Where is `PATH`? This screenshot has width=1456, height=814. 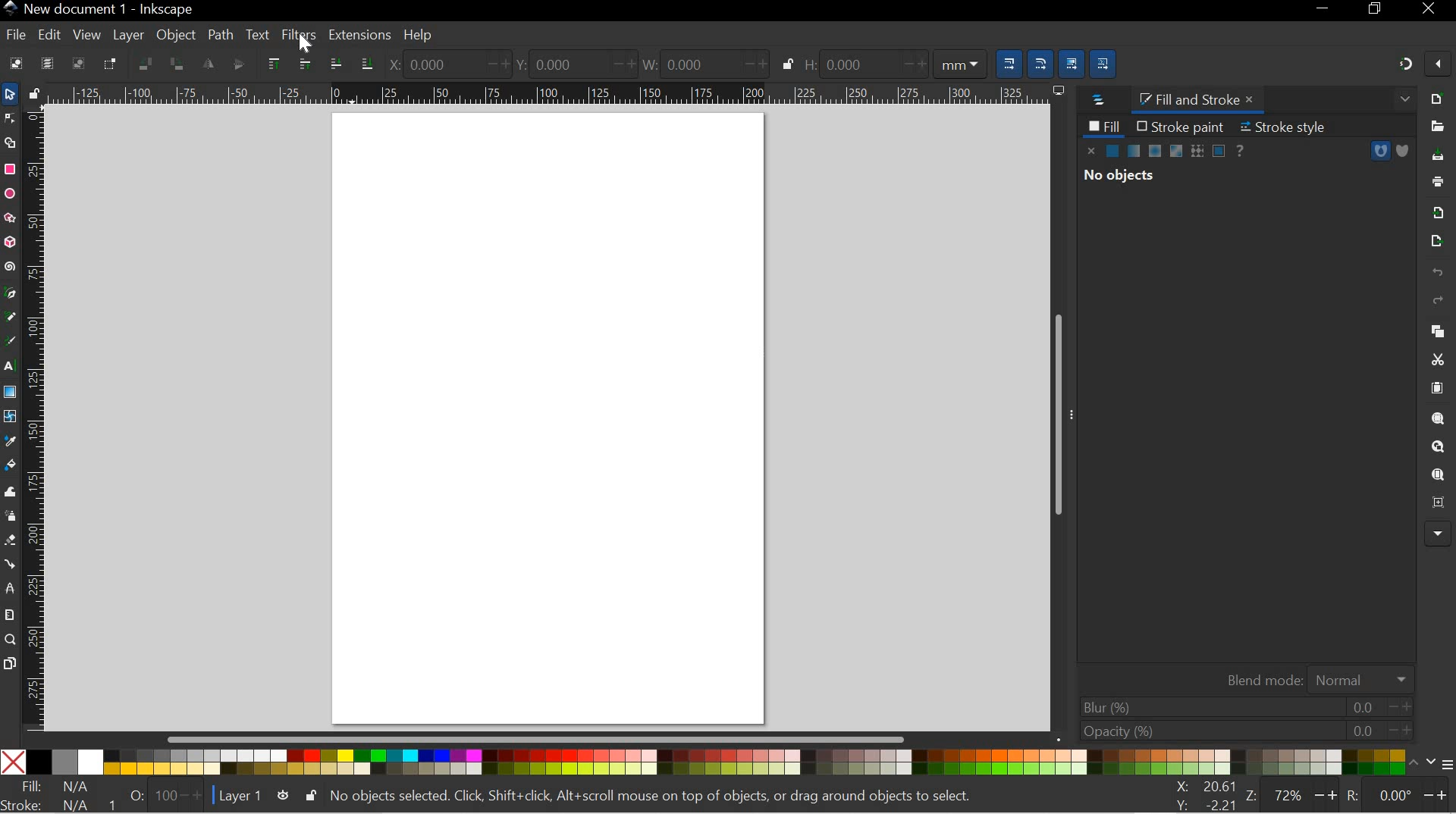
PATH is located at coordinates (1380, 151).